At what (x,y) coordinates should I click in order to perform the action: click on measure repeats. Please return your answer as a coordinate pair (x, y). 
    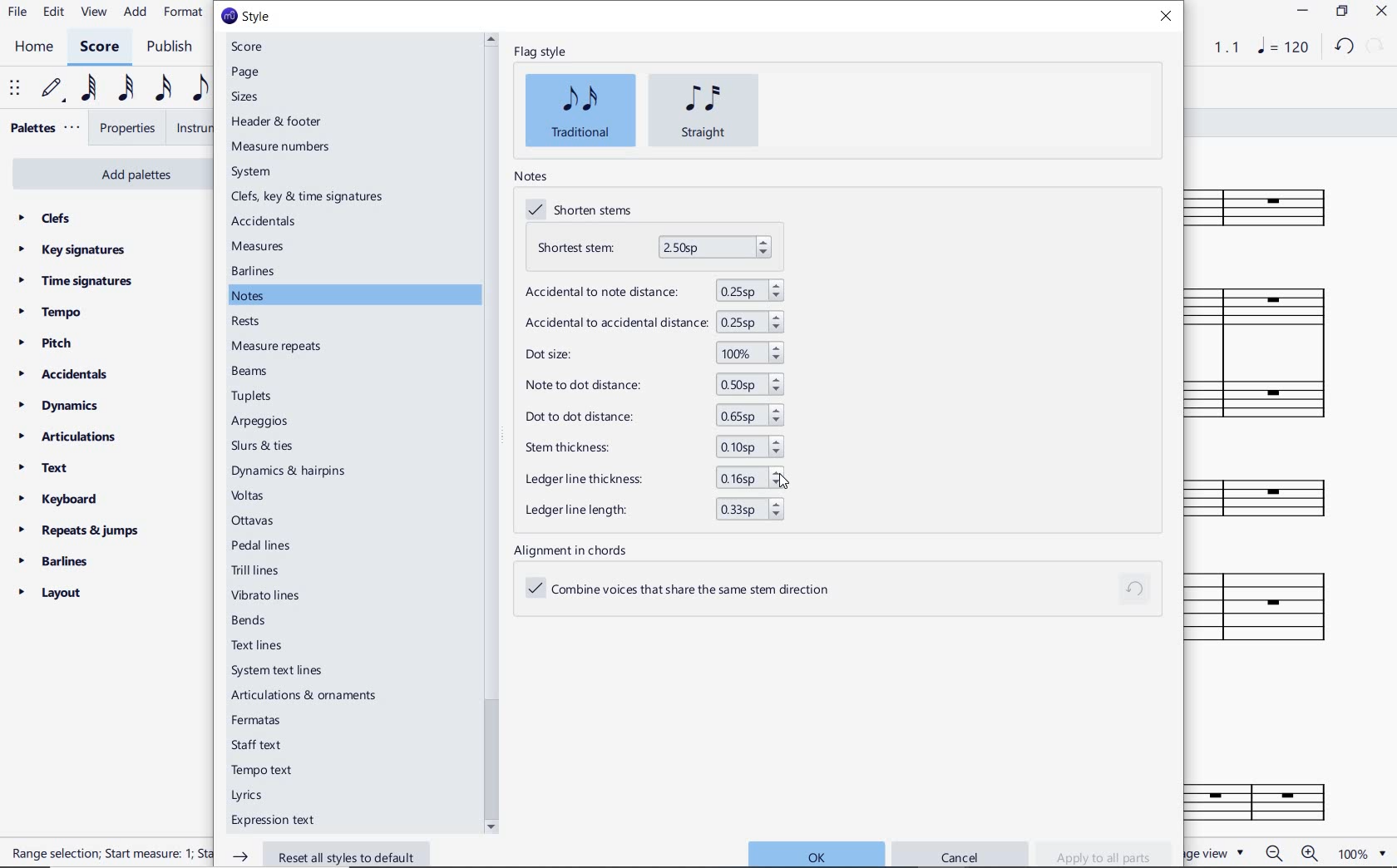
    Looking at the image, I should click on (277, 348).